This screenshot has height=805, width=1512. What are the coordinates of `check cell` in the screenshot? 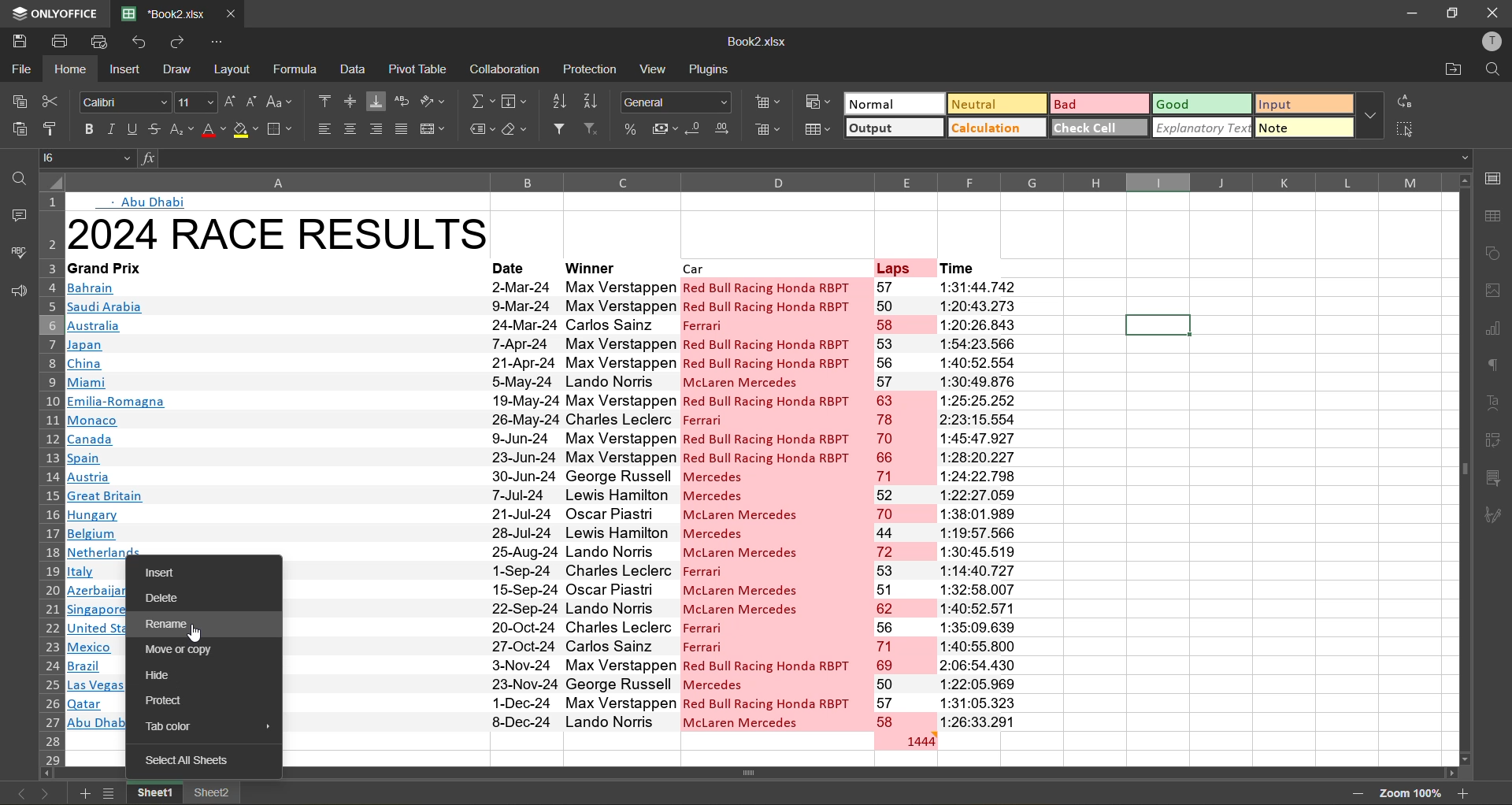 It's located at (1095, 127).